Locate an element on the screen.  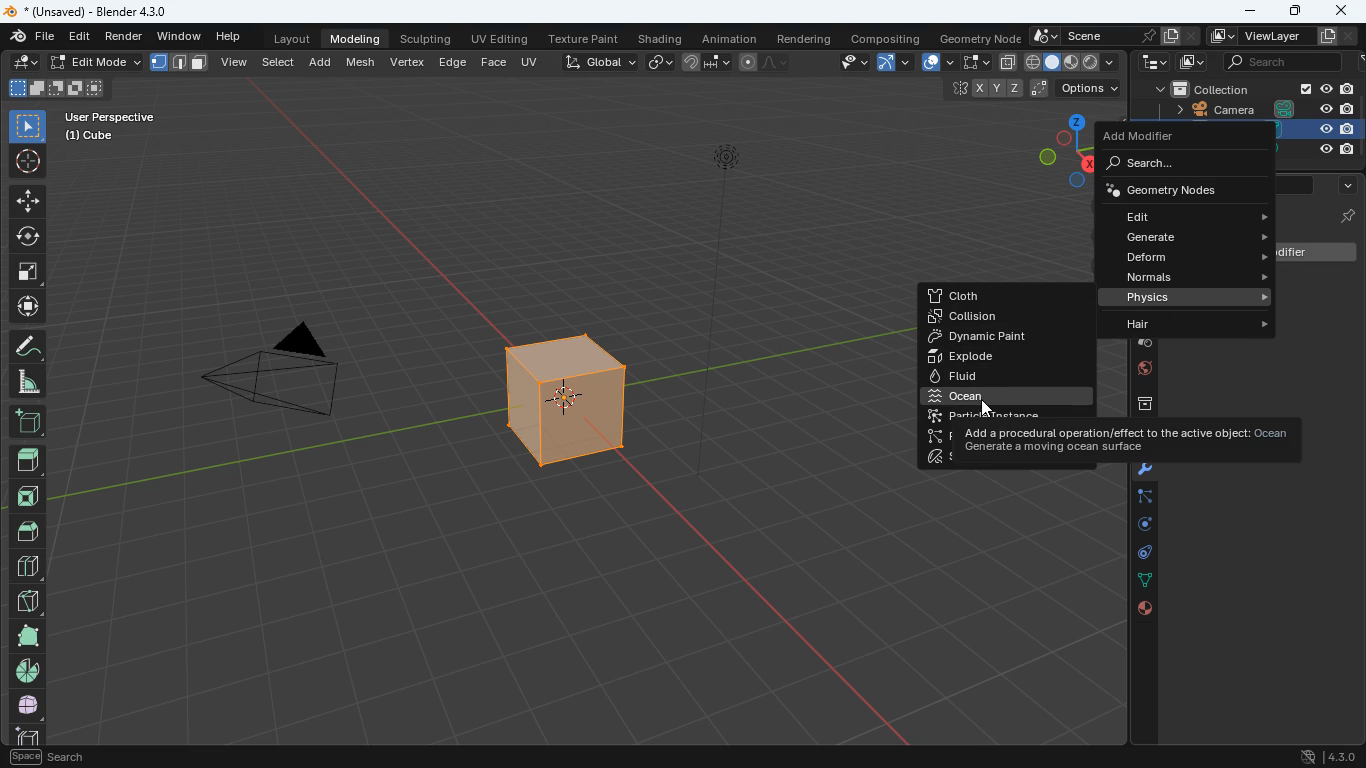
User Perspective
fr a. is located at coordinates (110, 125).